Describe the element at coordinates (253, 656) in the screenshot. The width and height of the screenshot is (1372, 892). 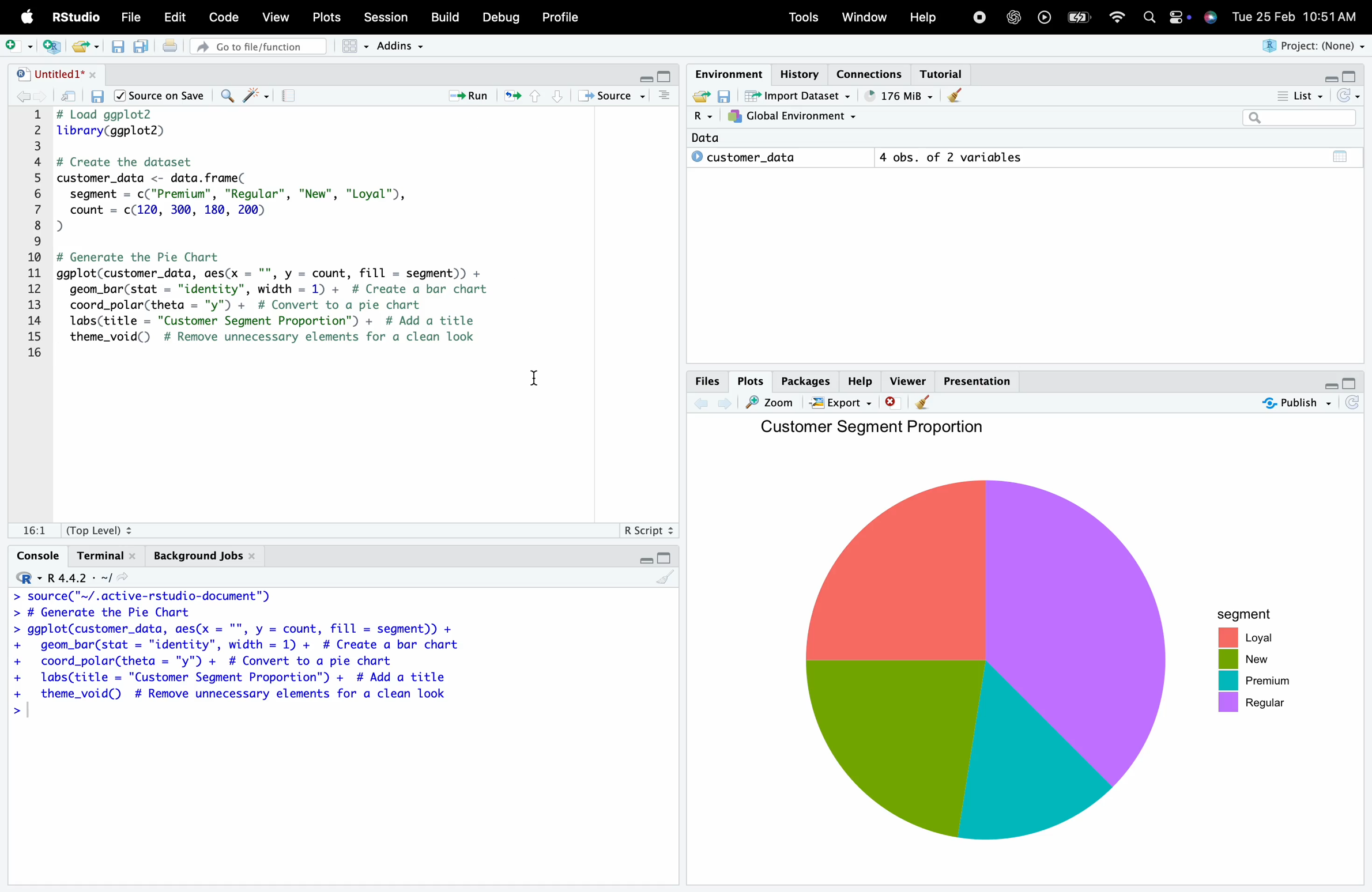
I see `source("~/.active-rstudio-document™)

¢ Generate the Pie Chart

jgplot(customer_data, aes(x = "", y = count, fill = segment)) +
geom_bar(stat = "identity", width = 1) + # Create a bar chart
coord_polar(theta = "y") + # Convert to a pie chart
labs(title = "Customer Segment Proportion") + # Add a title
theme_void() # Remove unnecessary elements for a clean look` at that location.